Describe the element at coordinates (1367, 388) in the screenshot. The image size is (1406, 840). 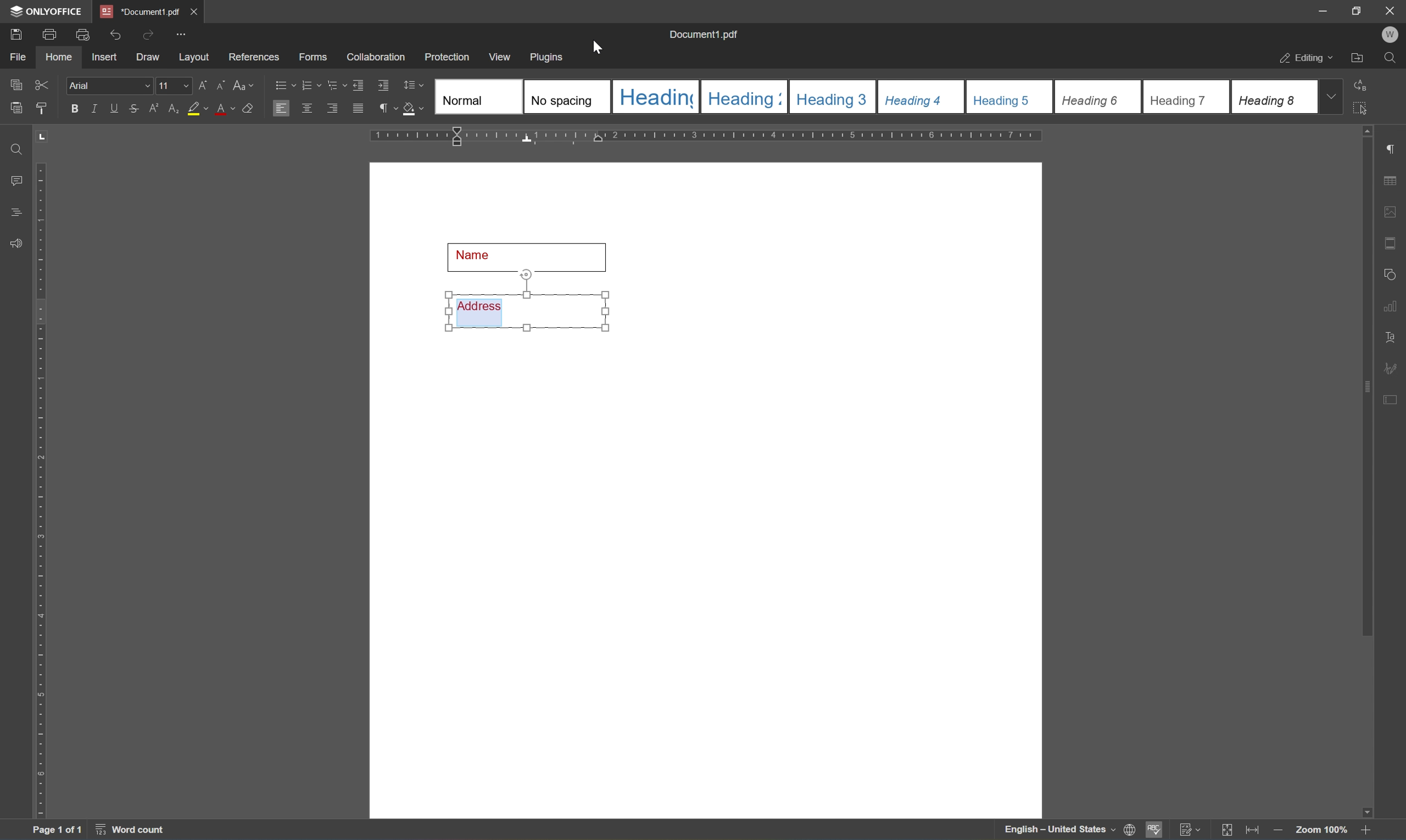
I see `scroll bar` at that location.